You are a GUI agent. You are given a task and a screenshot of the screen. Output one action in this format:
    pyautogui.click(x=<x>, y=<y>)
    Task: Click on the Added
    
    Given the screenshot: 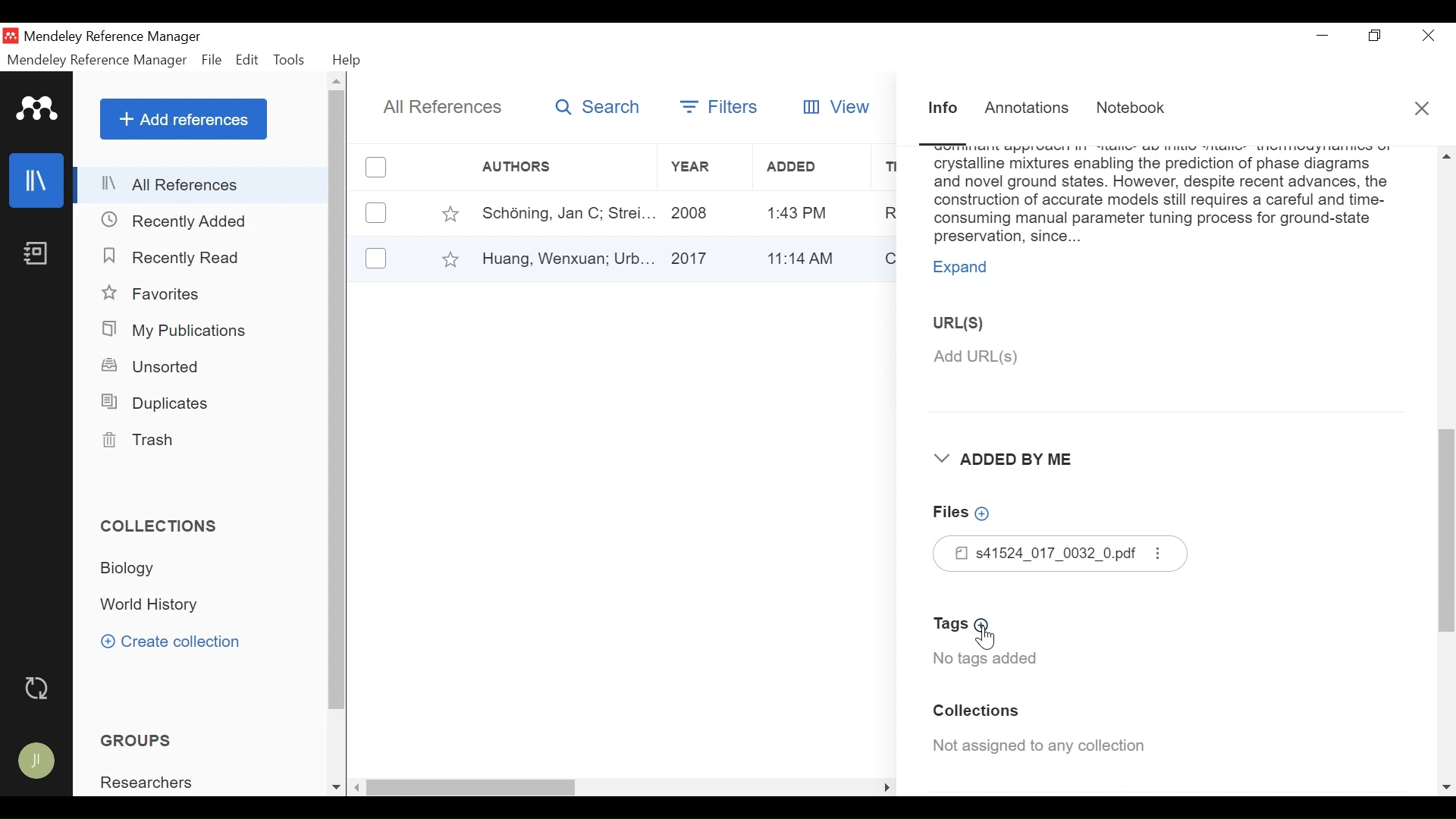 What is the action you would take?
    pyautogui.click(x=808, y=212)
    